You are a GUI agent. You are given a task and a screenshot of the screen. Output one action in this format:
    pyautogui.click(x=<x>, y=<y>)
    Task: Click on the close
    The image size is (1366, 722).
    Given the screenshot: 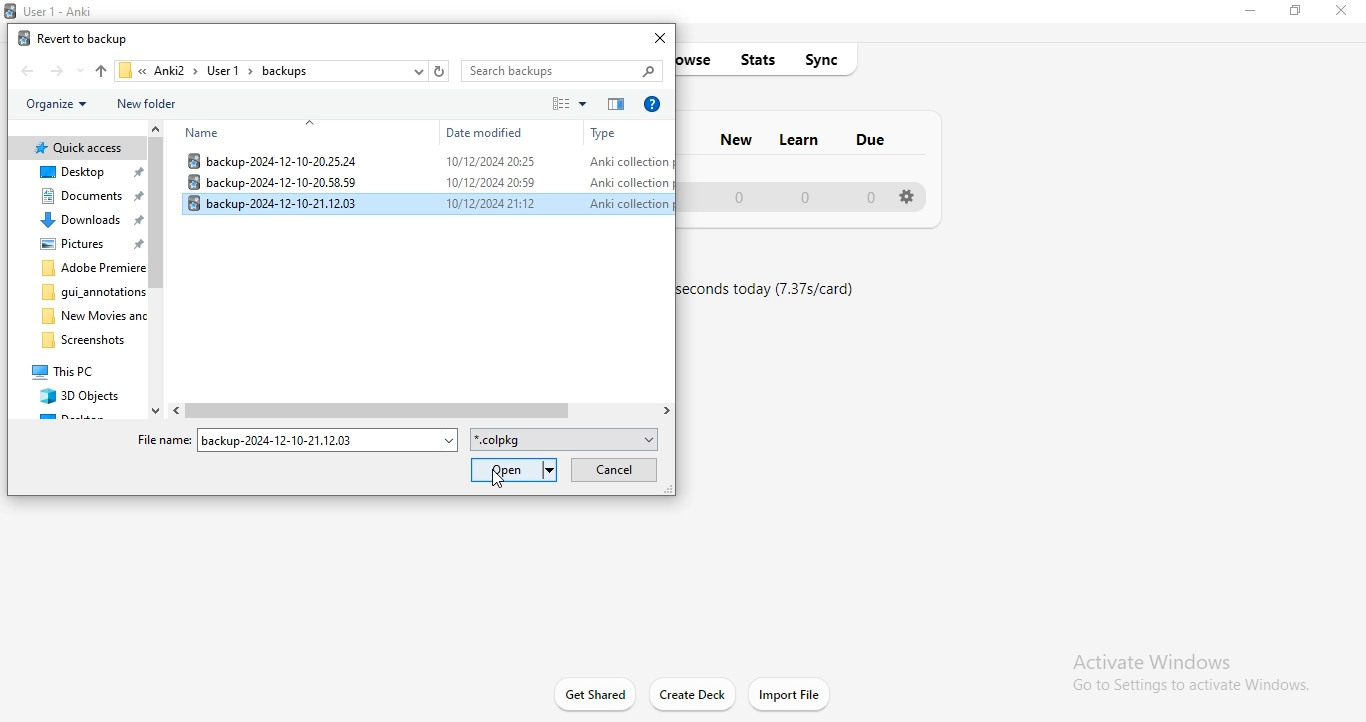 What is the action you would take?
    pyautogui.click(x=1345, y=12)
    